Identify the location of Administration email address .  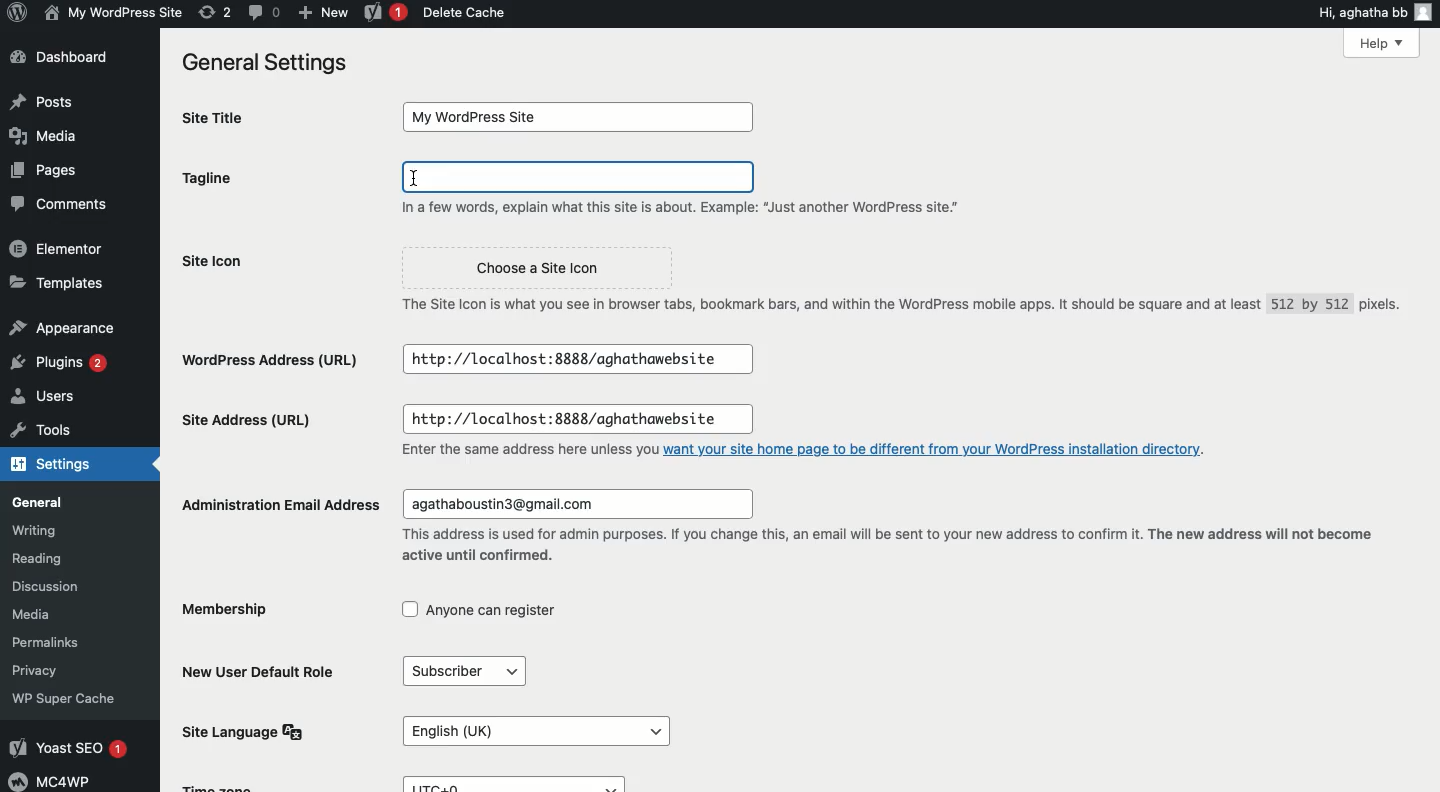
(272, 503).